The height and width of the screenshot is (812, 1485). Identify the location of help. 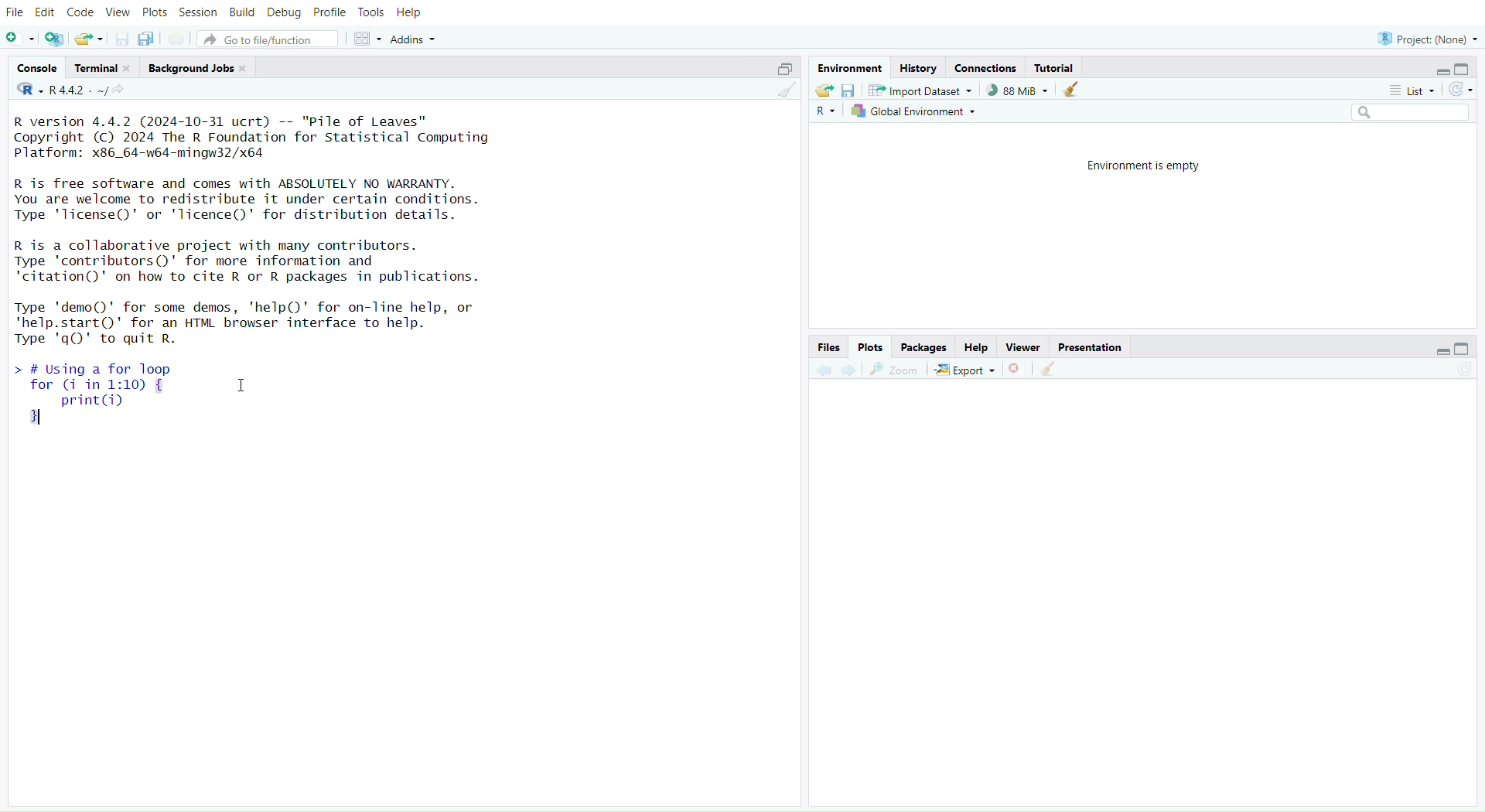
(977, 346).